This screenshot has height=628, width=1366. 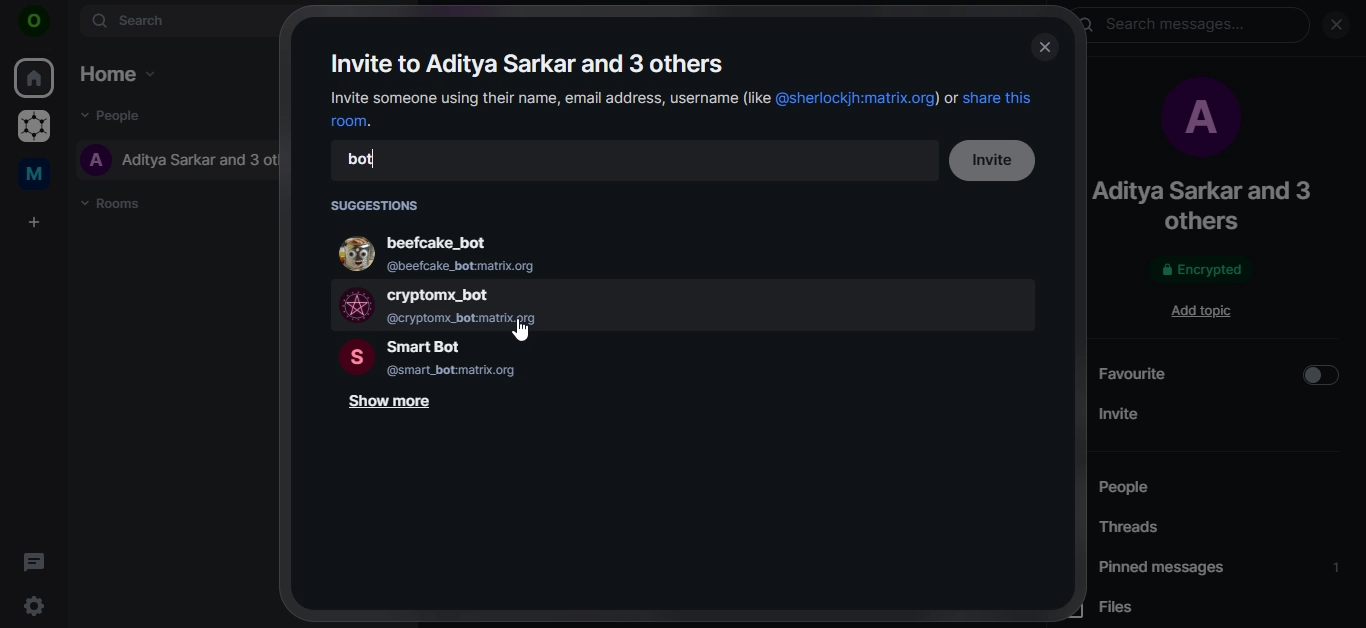 I want to click on cursor, so click(x=522, y=331).